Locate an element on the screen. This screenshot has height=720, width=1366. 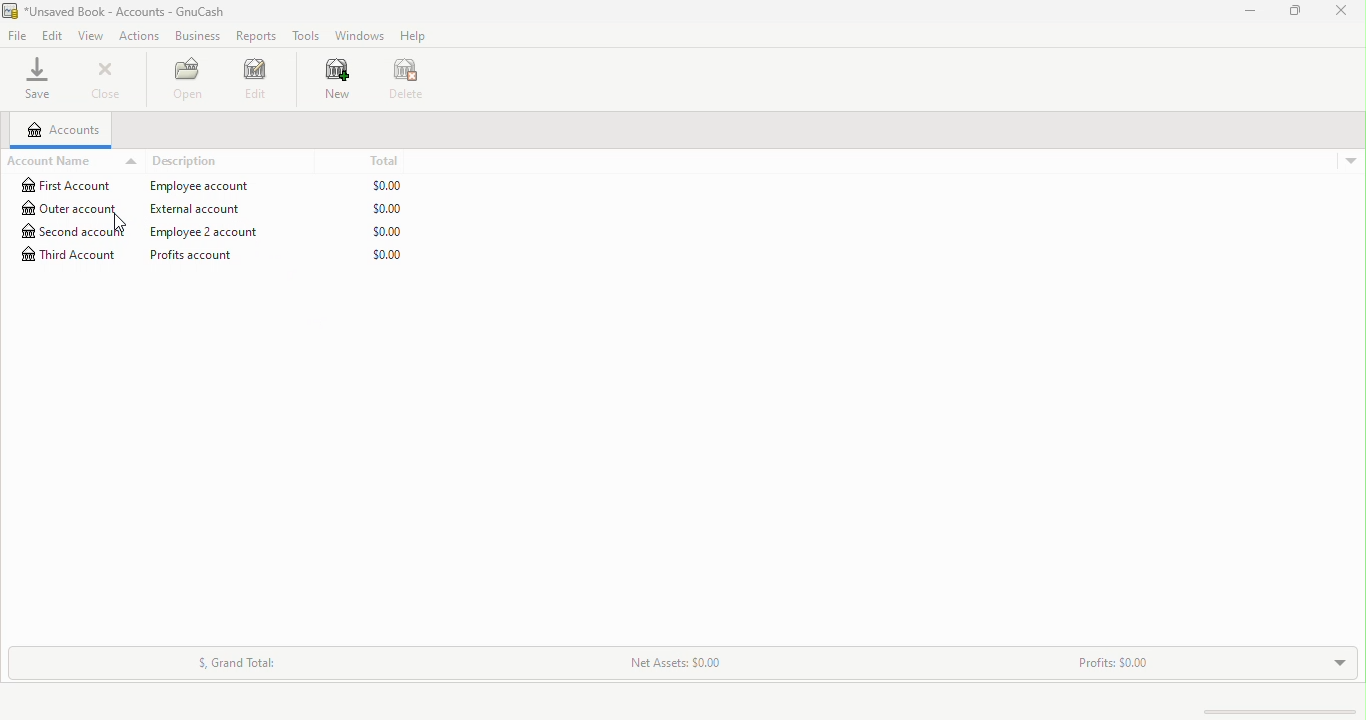
Save is located at coordinates (40, 78).